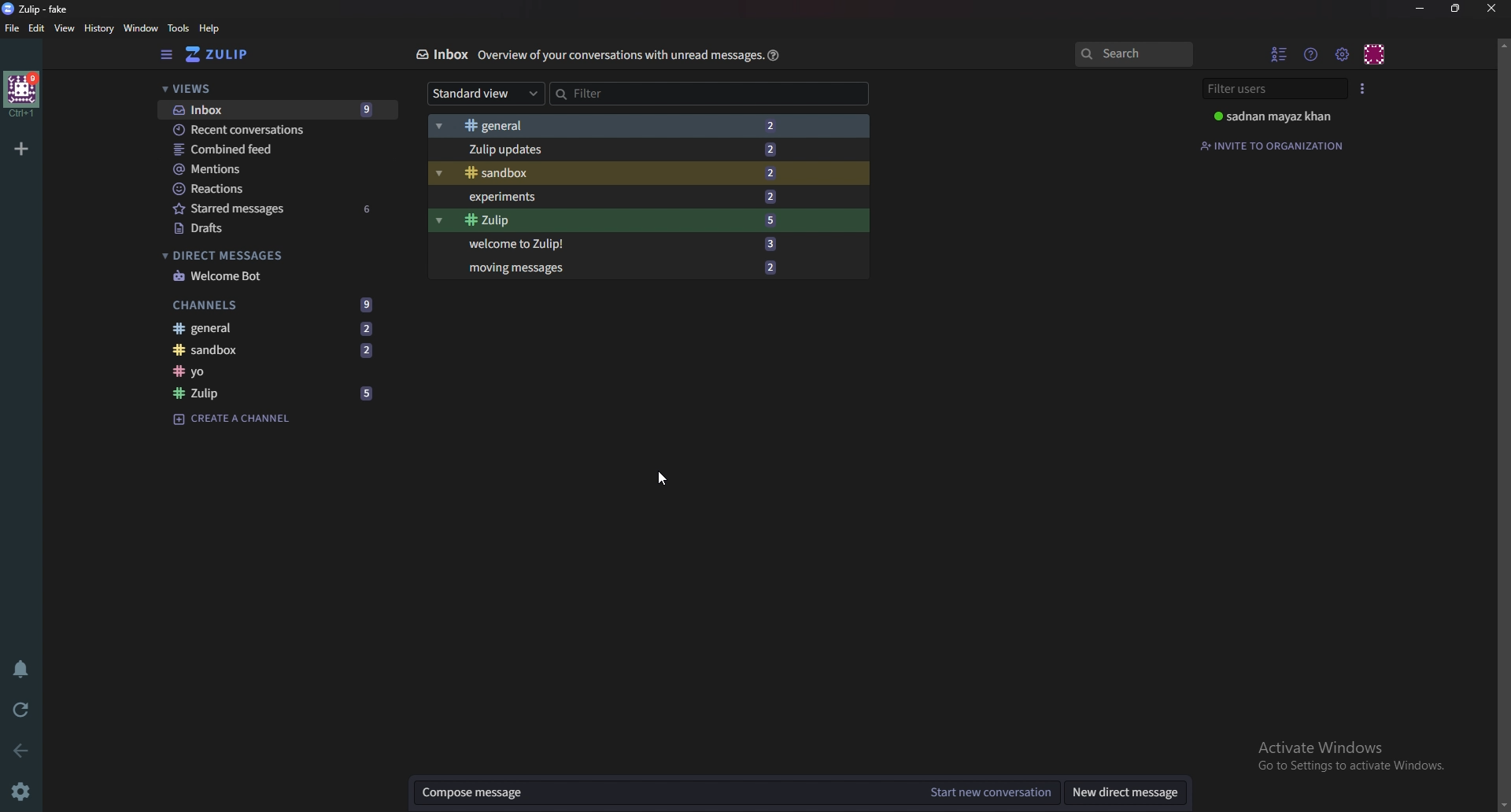 The width and height of the screenshot is (1511, 812). I want to click on channels, so click(272, 305).